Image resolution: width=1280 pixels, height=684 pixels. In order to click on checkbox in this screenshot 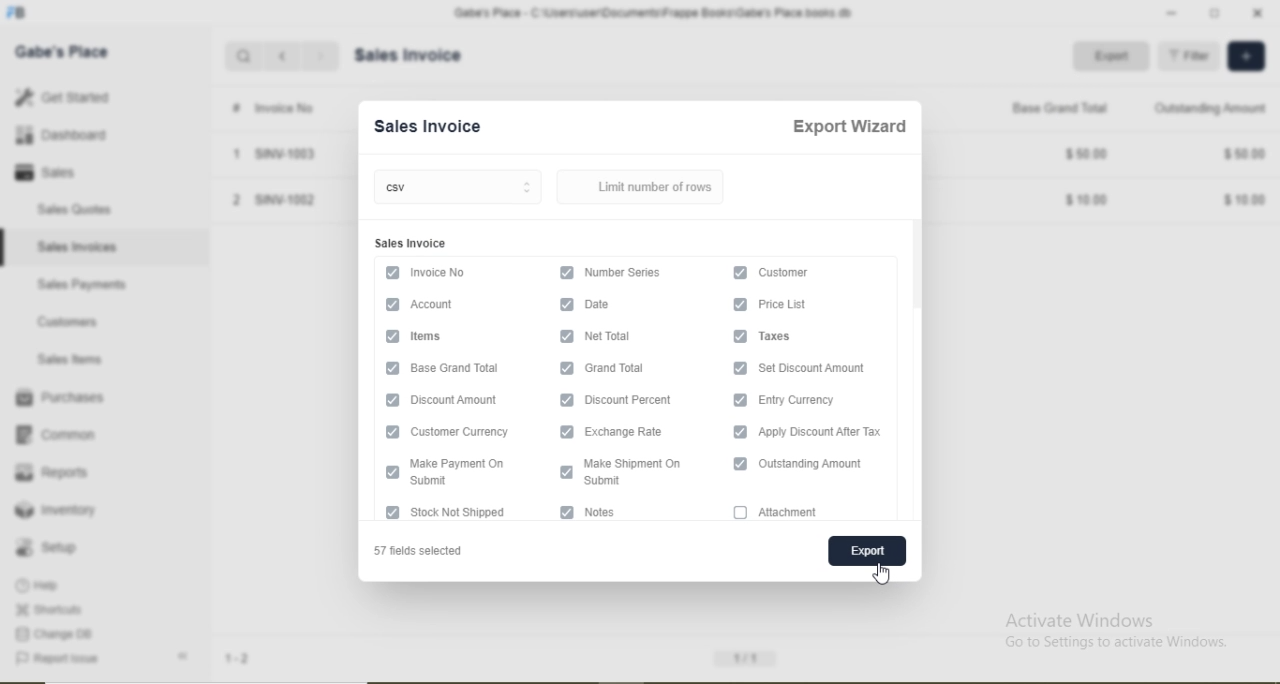, I will do `click(741, 271)`.